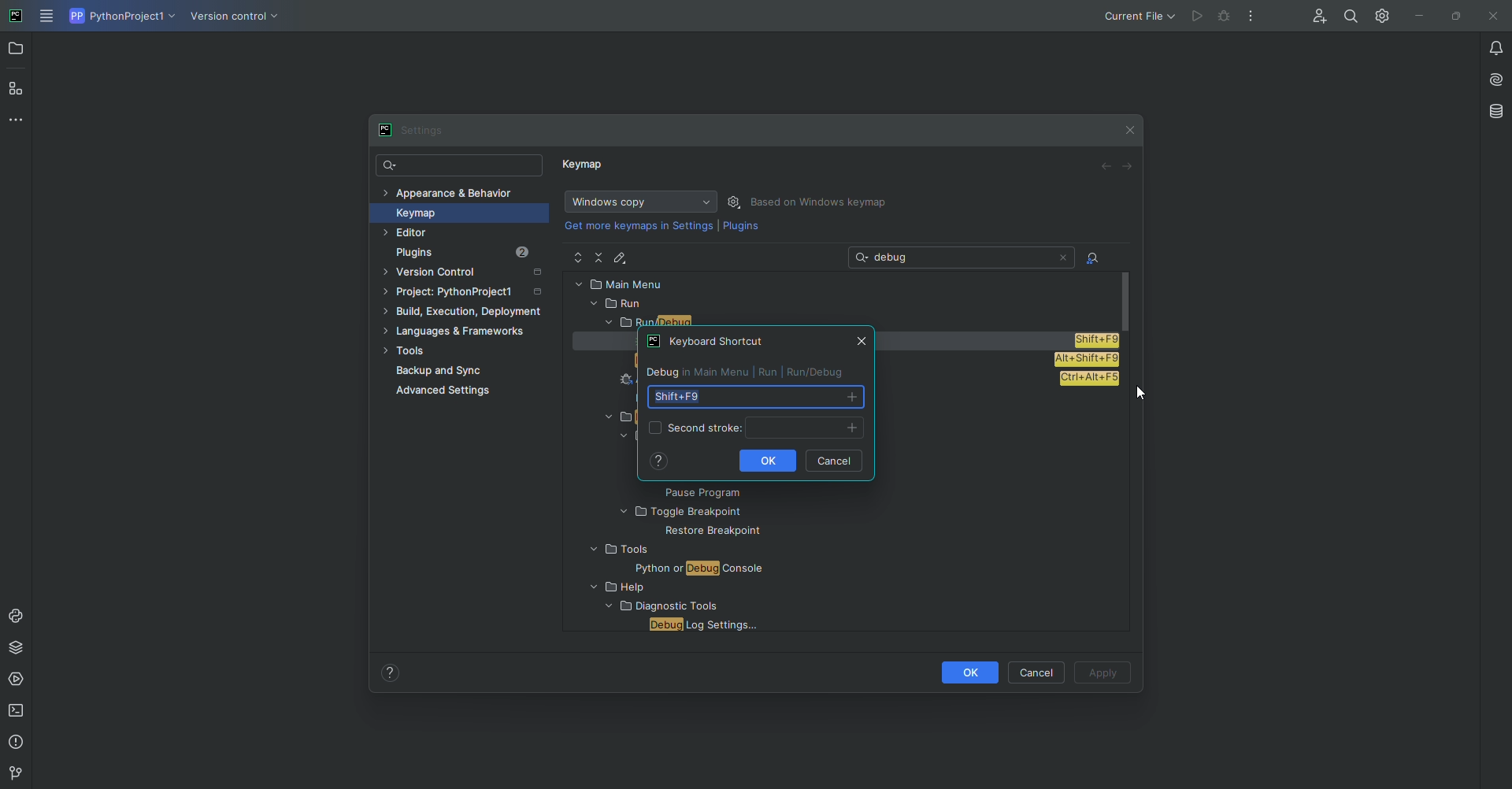 The height and width of the screenshot is (789, 1512). I want to click on Notifications, so click(1487, 47).